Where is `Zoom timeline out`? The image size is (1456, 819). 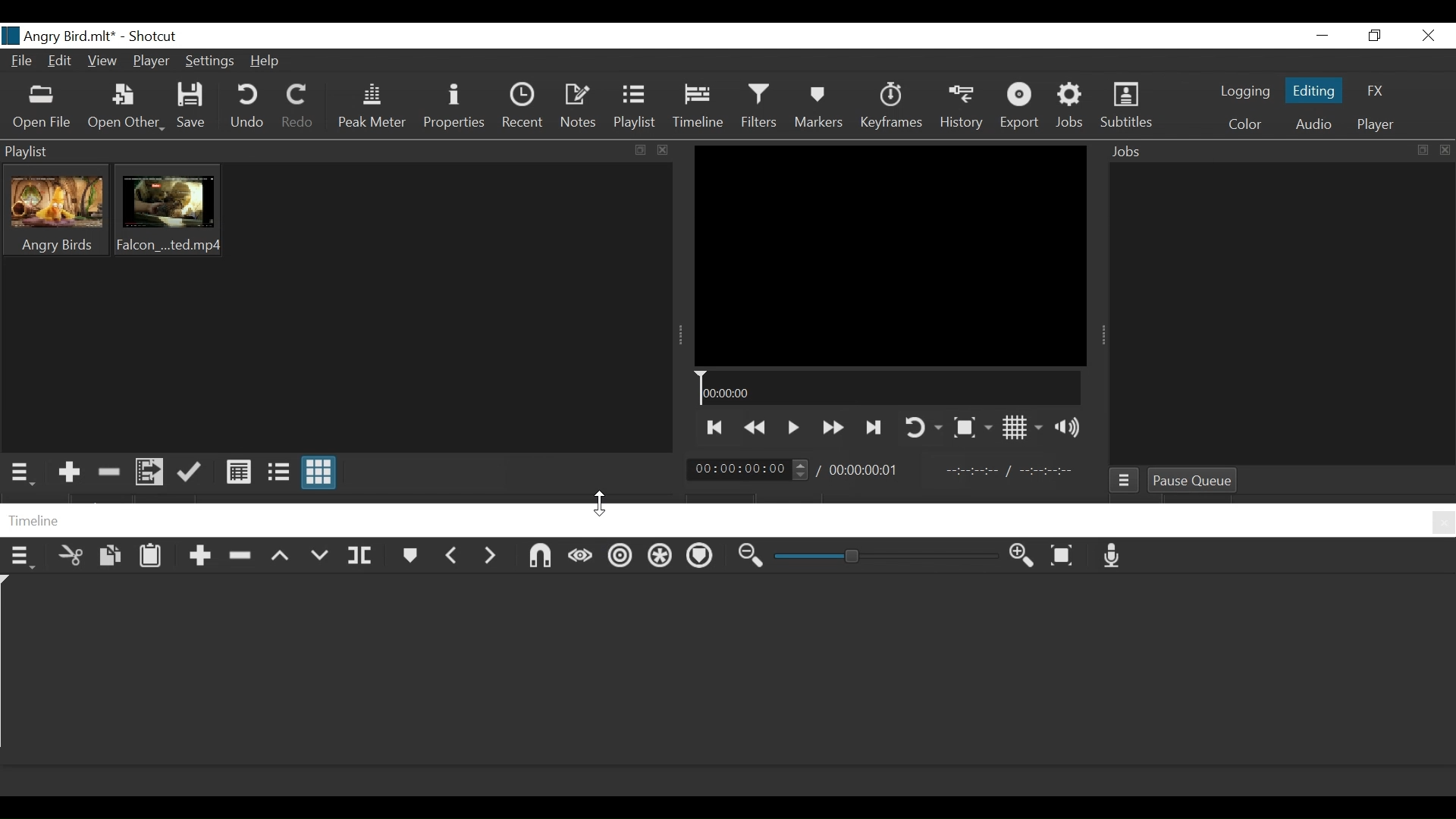 Zoom timeline out is located at coordinates (1020, 559).